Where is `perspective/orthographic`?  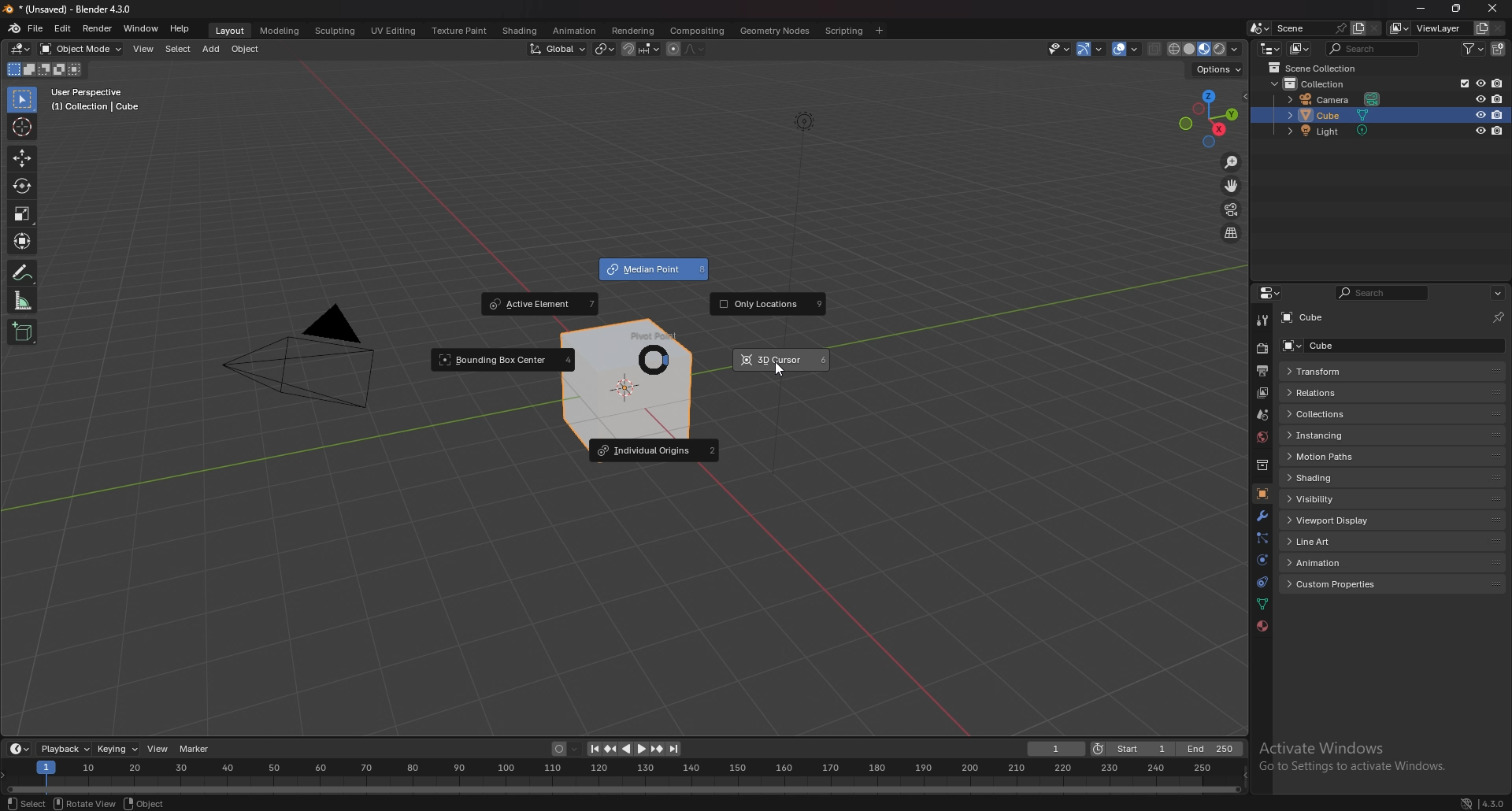
perspective/orthographic is located at coordinates (1232, 234).